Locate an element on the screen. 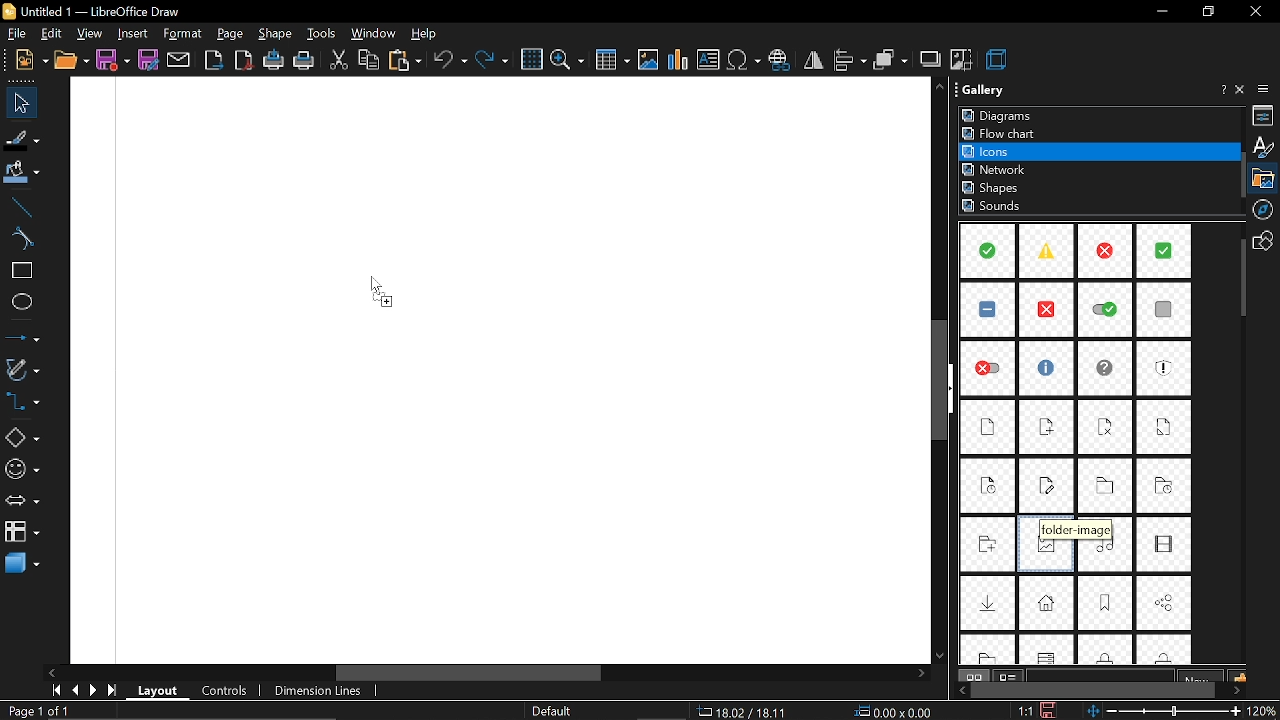 This screenshot has width=1280, height=720. new is located at coordinates (25, 59).